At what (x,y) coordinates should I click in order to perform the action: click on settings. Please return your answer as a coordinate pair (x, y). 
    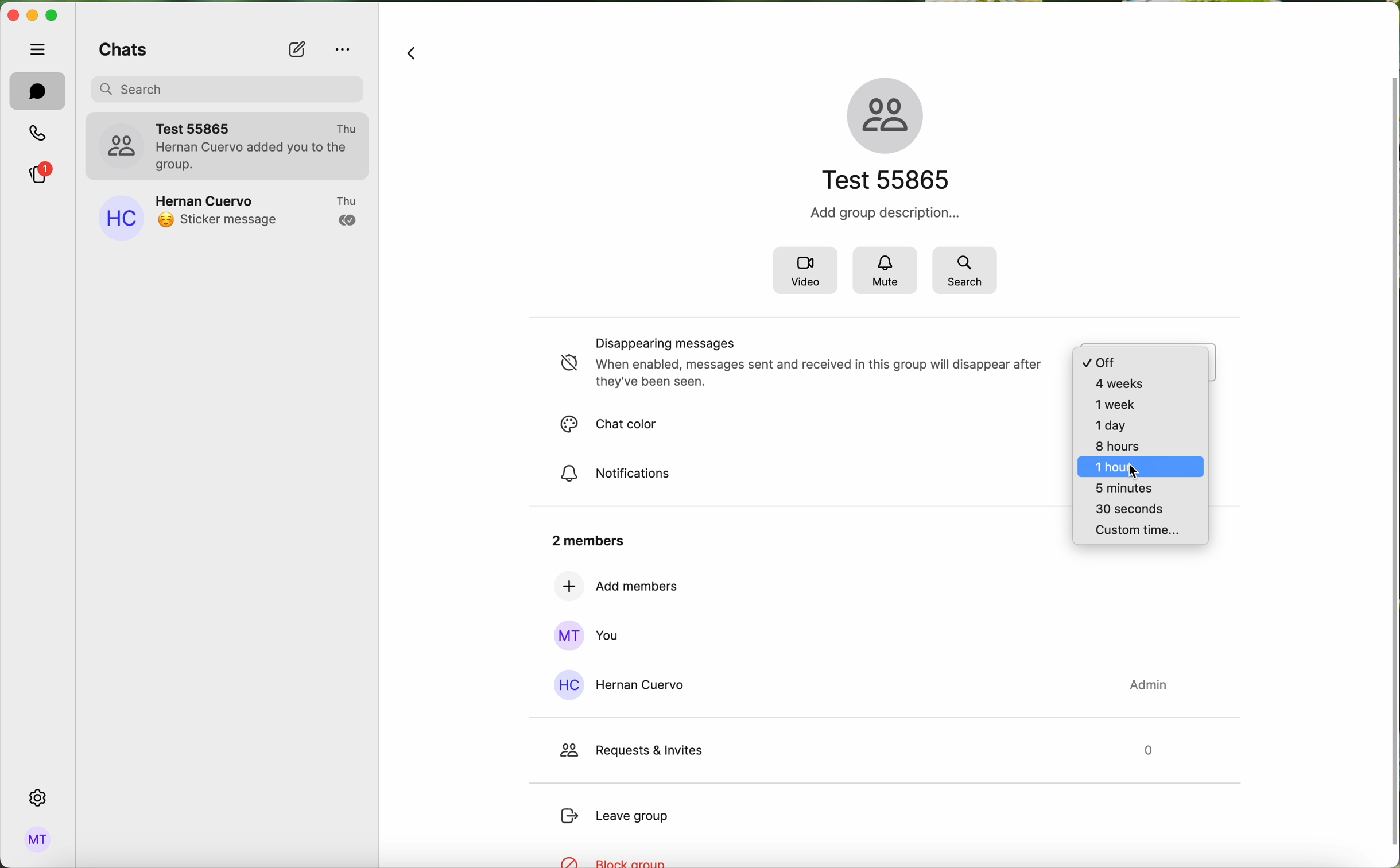
    Looking at the image, I should click on (37, 798).